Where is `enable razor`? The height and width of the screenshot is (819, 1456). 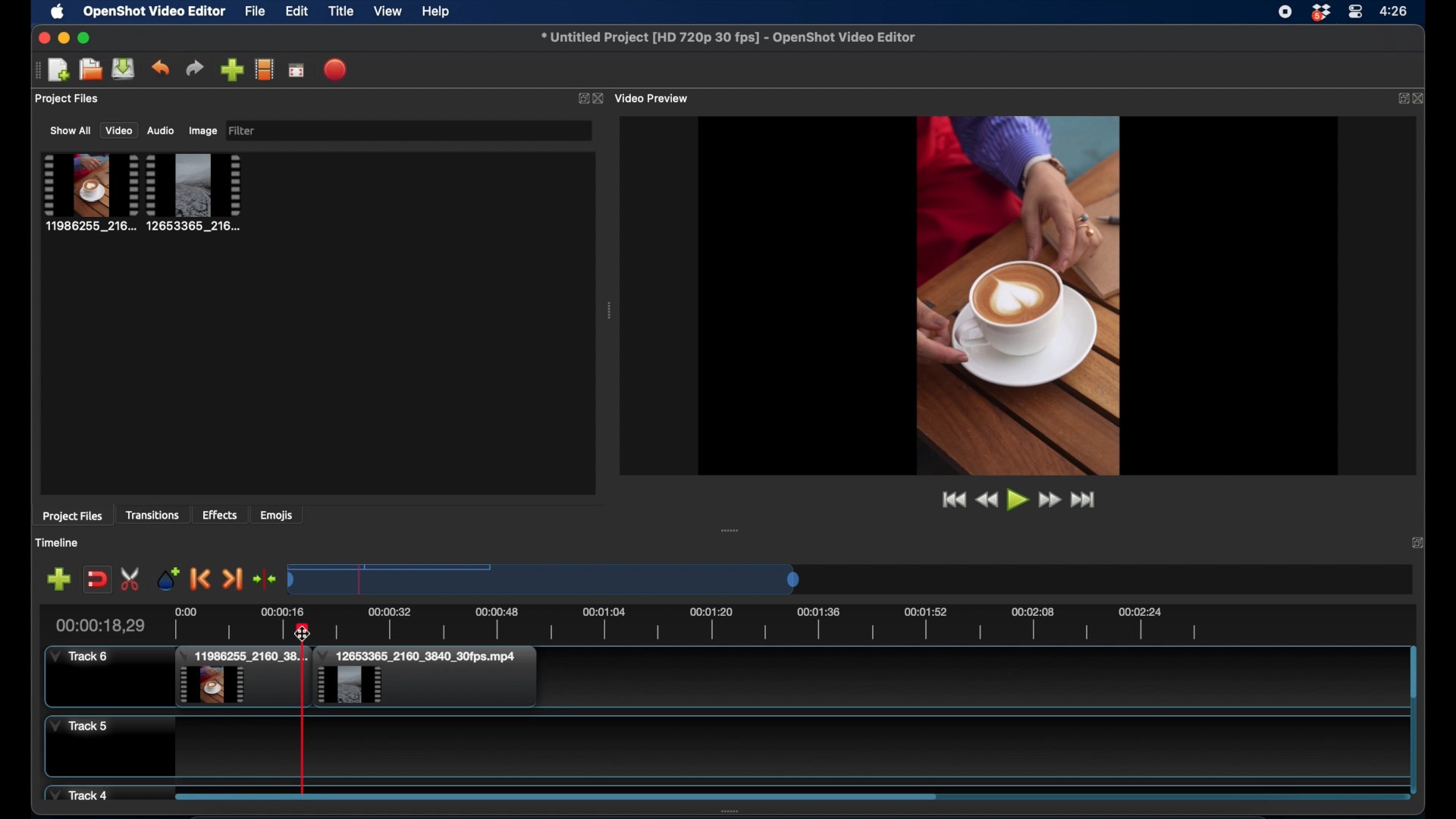
enable razor is located at coordinates (132, 579).